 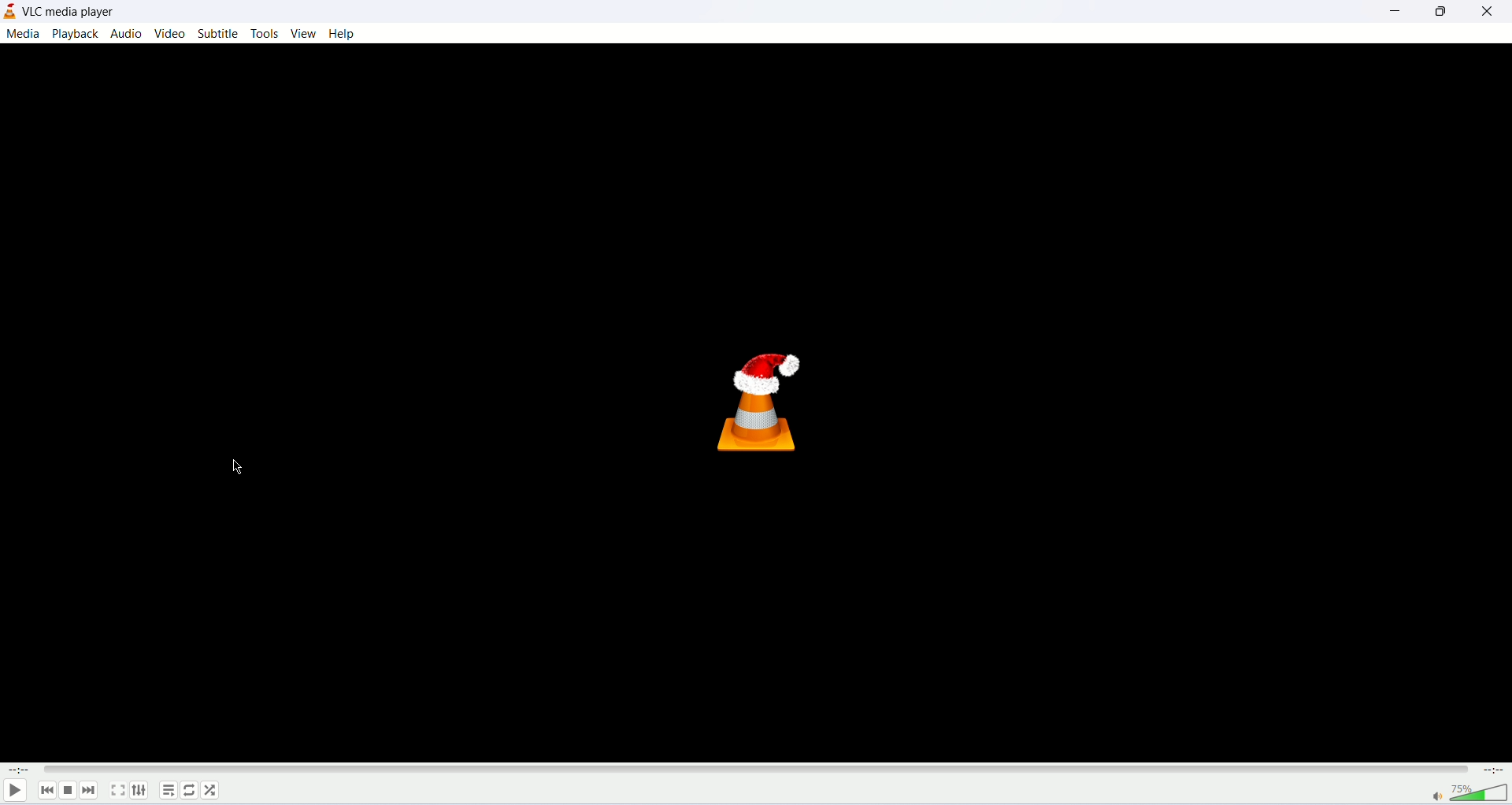 What do you see at coordinates (168, 789) in the screenshot?
I see `playlist` at bounding box center [168, 789].